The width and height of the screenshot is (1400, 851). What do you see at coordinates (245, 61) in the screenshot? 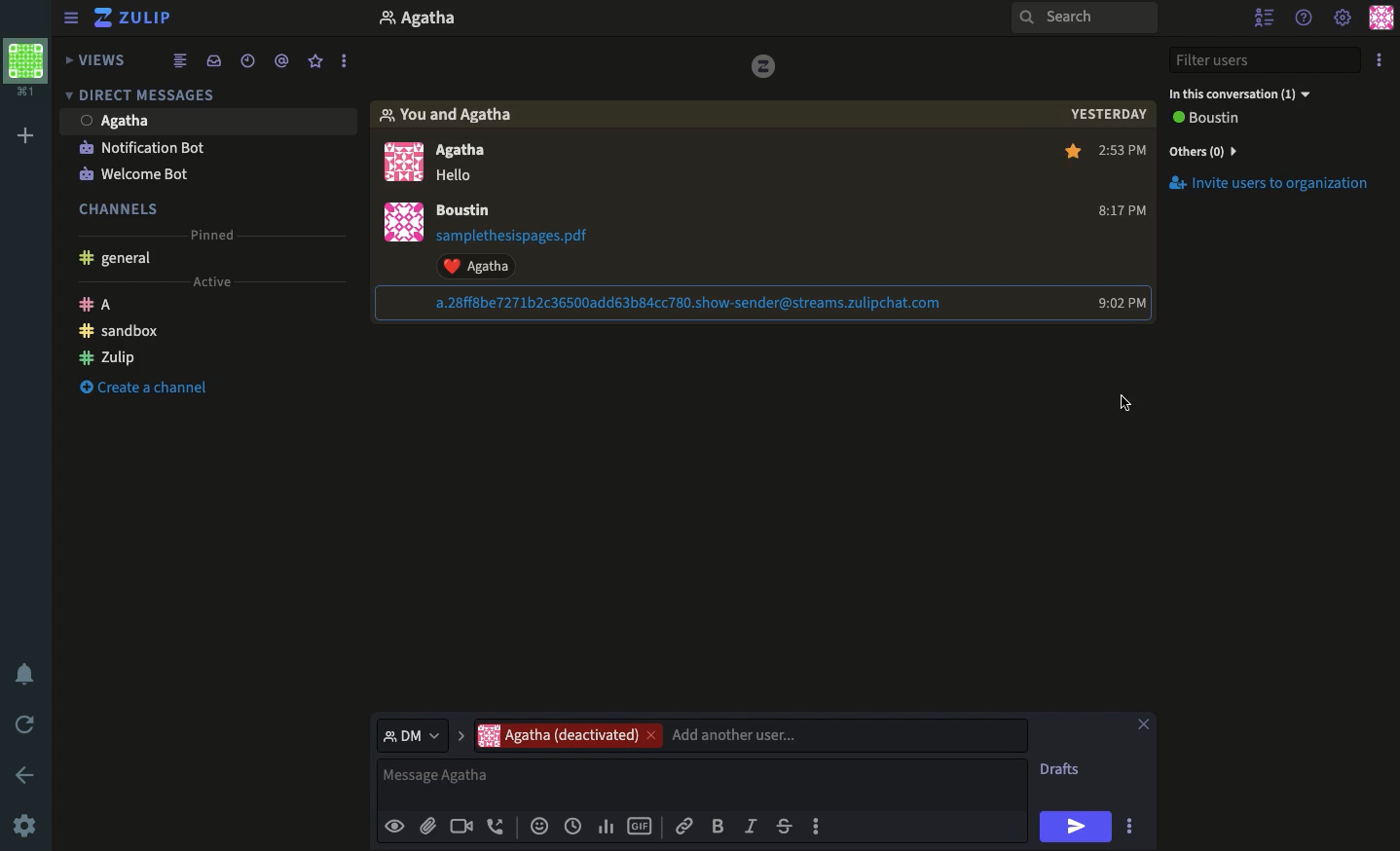
I see `Time` at bounding box center [245, 61].